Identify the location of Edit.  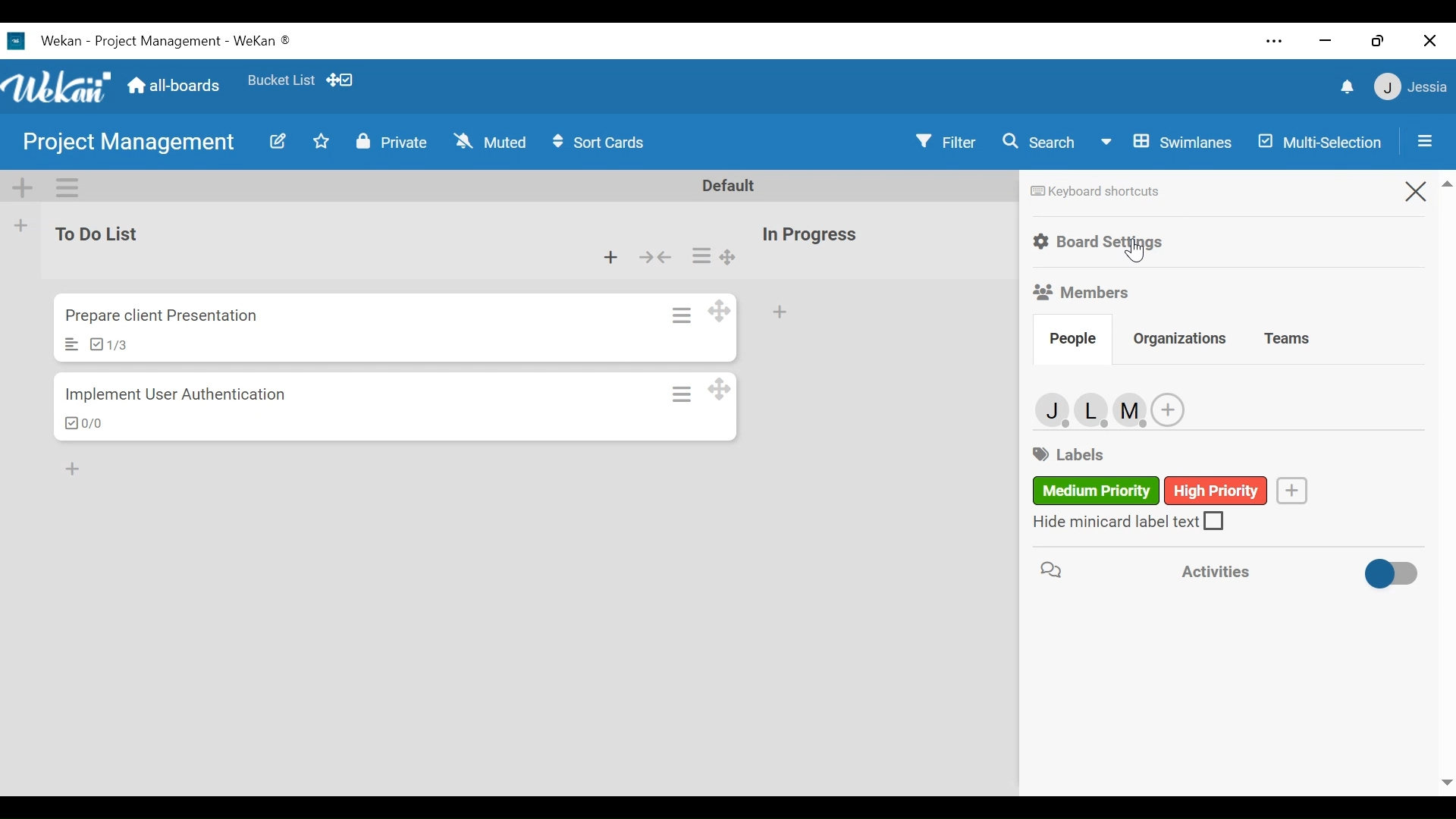
(276, 142).